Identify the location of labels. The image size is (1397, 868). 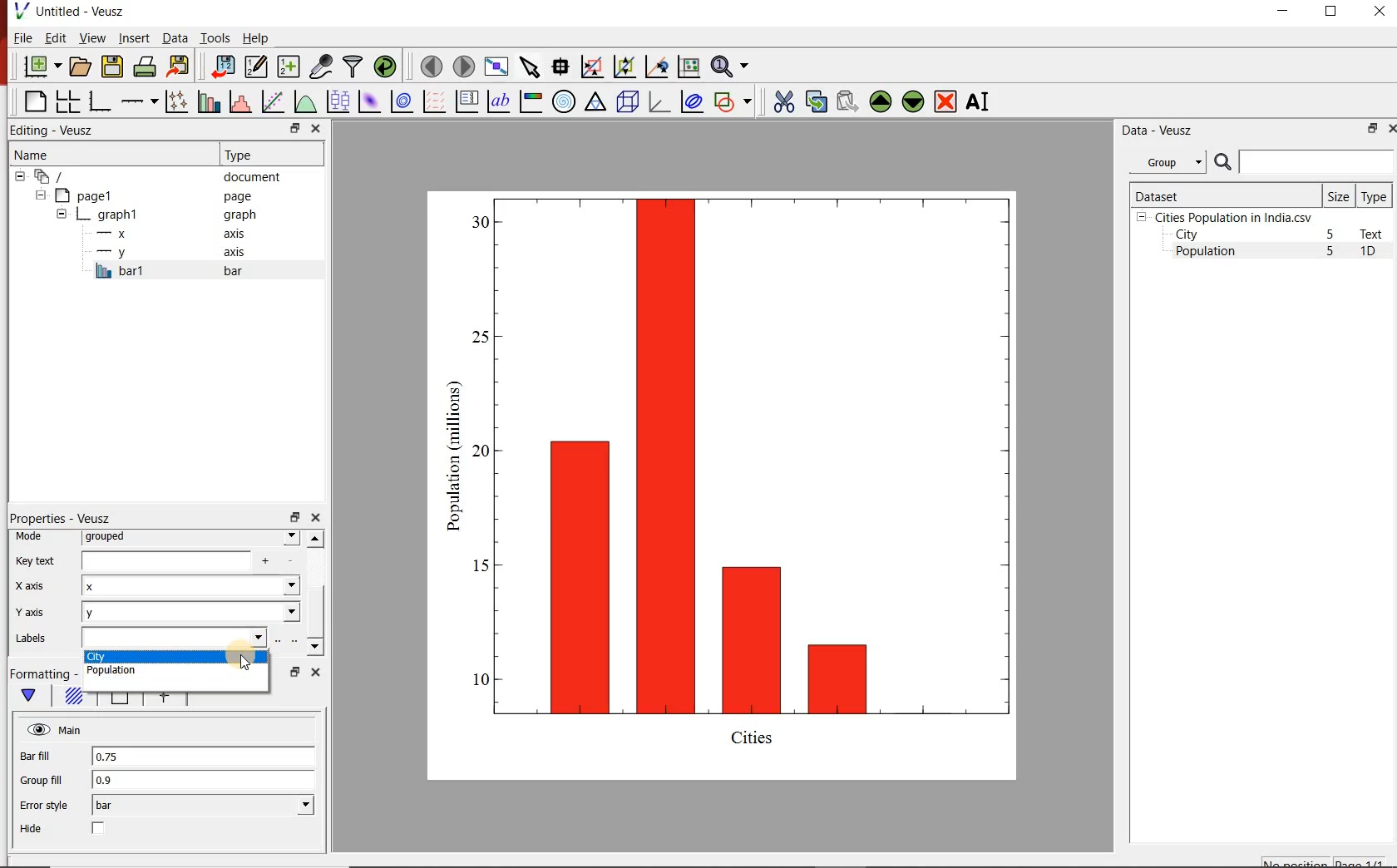
(38, 641).